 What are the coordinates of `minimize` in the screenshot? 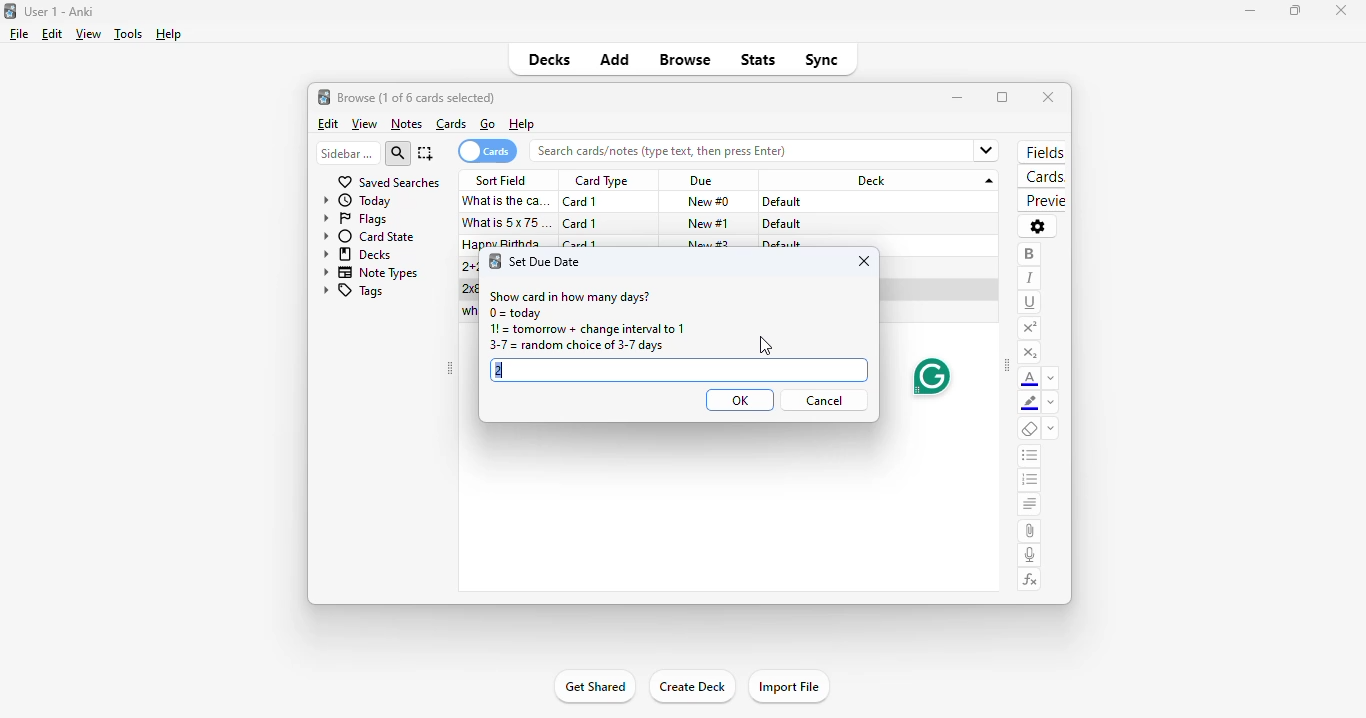 It's located at (958, 97).